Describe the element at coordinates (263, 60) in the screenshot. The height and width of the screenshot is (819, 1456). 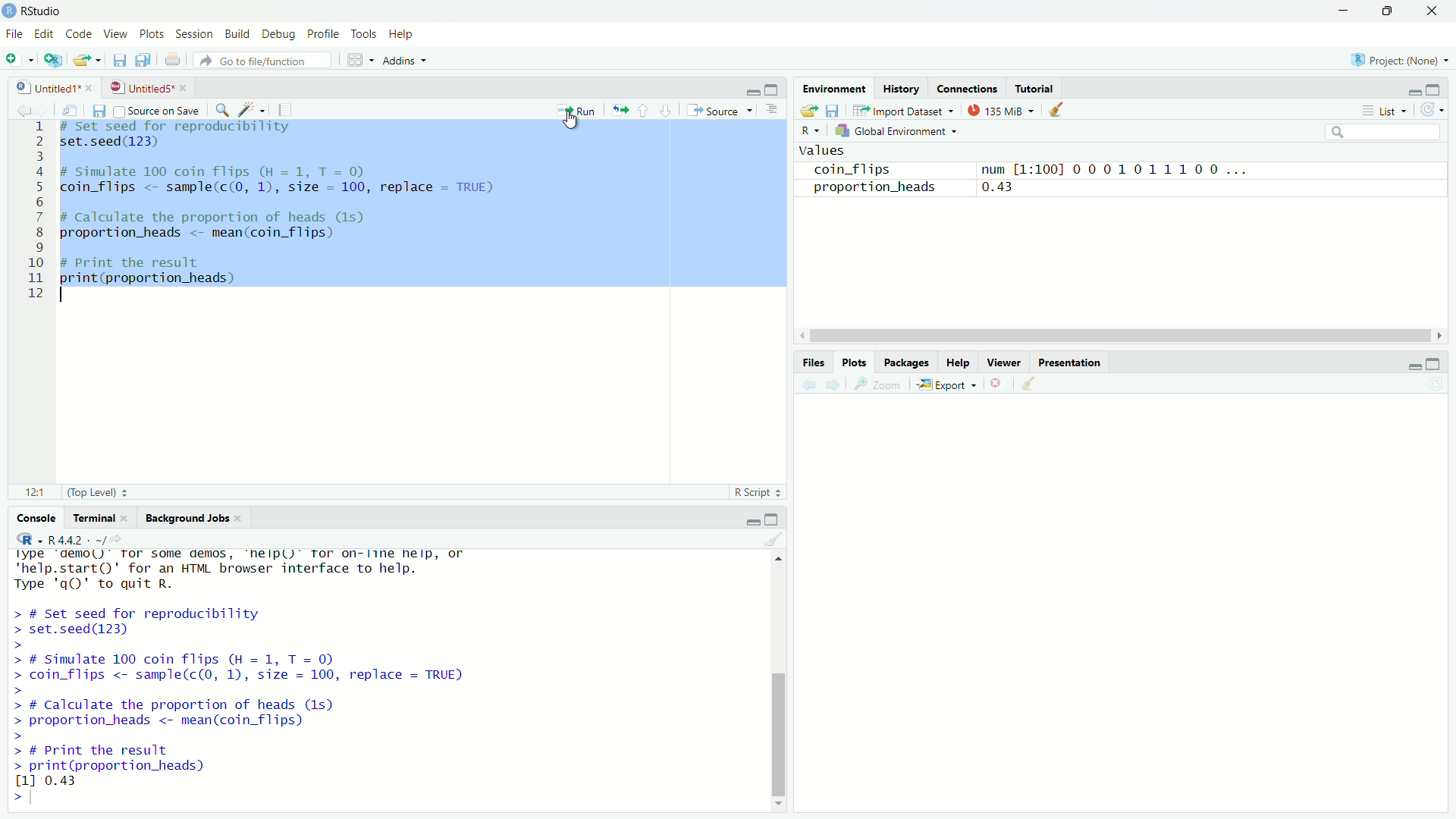
I see `go to file/function` at that location.